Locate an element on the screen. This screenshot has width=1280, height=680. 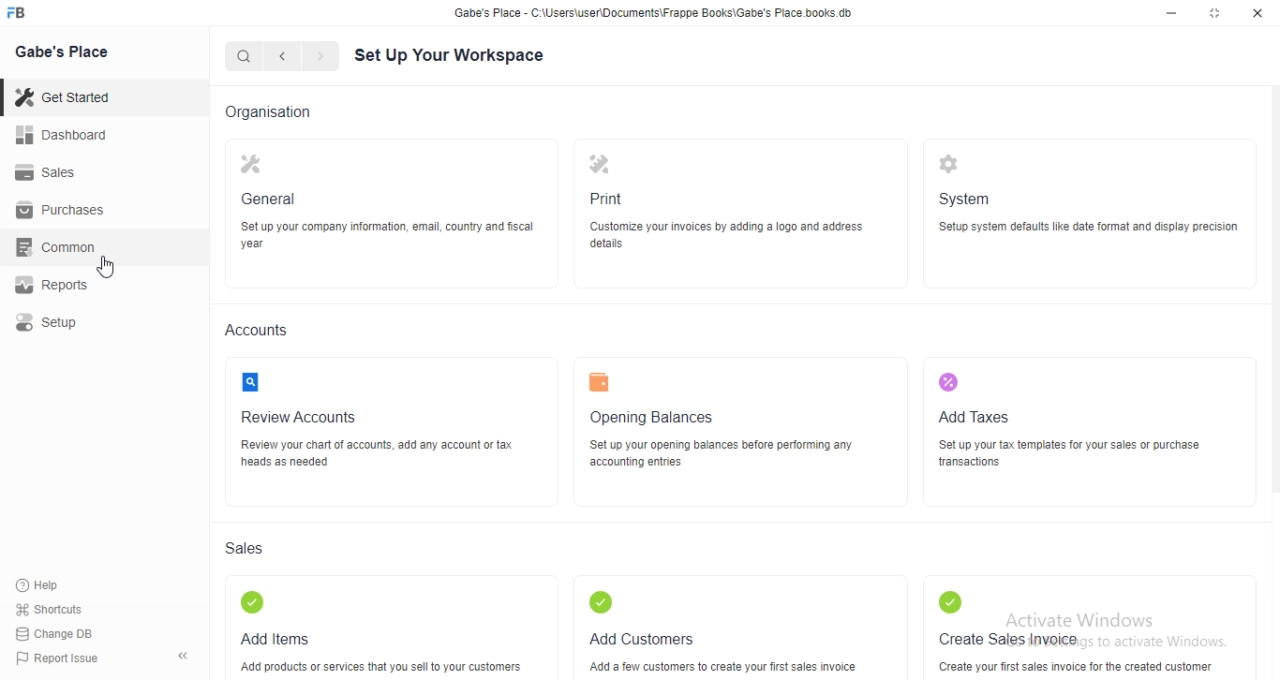
Purchases is located at coordinates (63, 210).